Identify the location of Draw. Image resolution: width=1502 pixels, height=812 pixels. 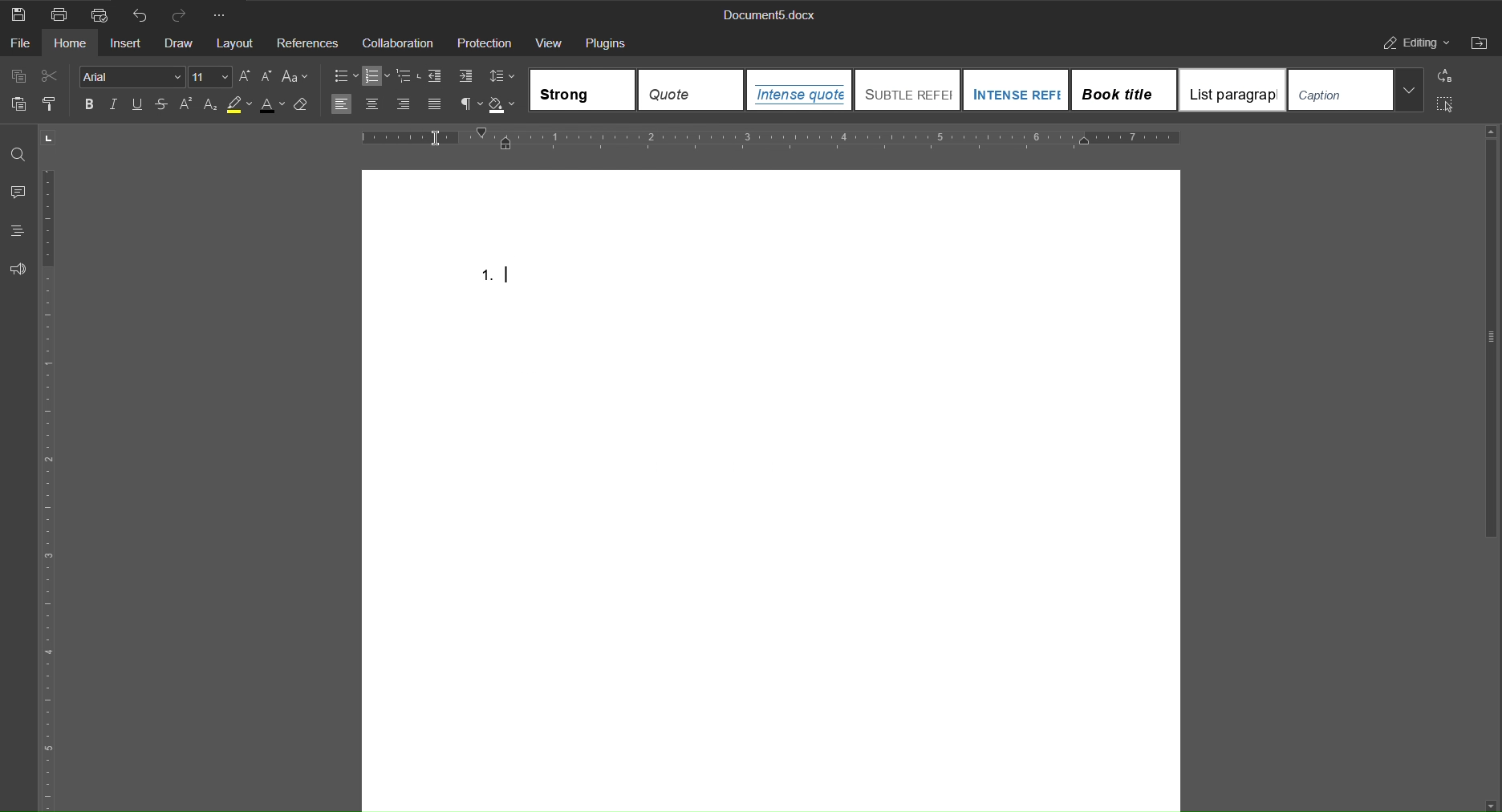
(181, 45).